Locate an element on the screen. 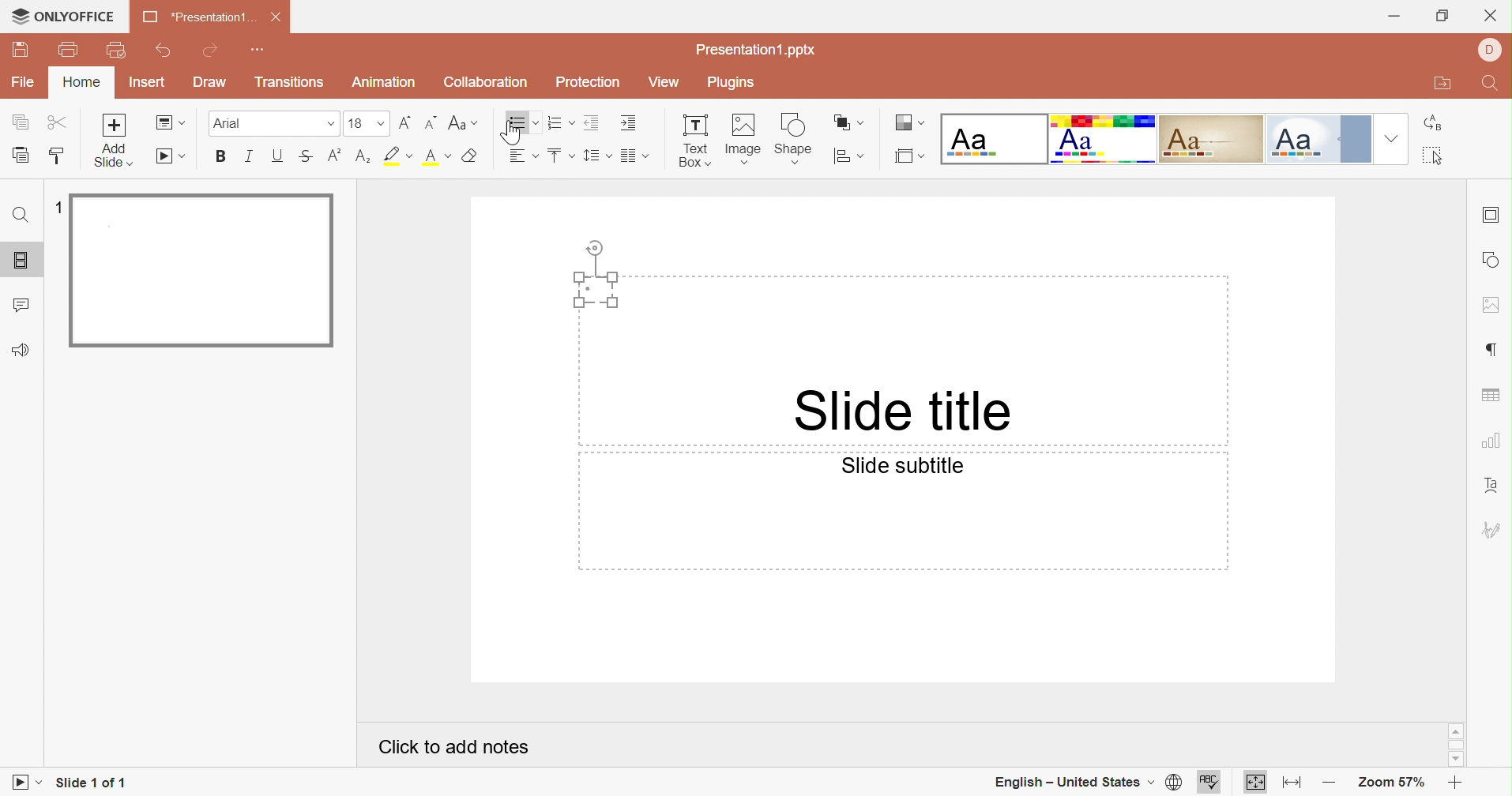  signature settings is located at coordinates (1494, 531).